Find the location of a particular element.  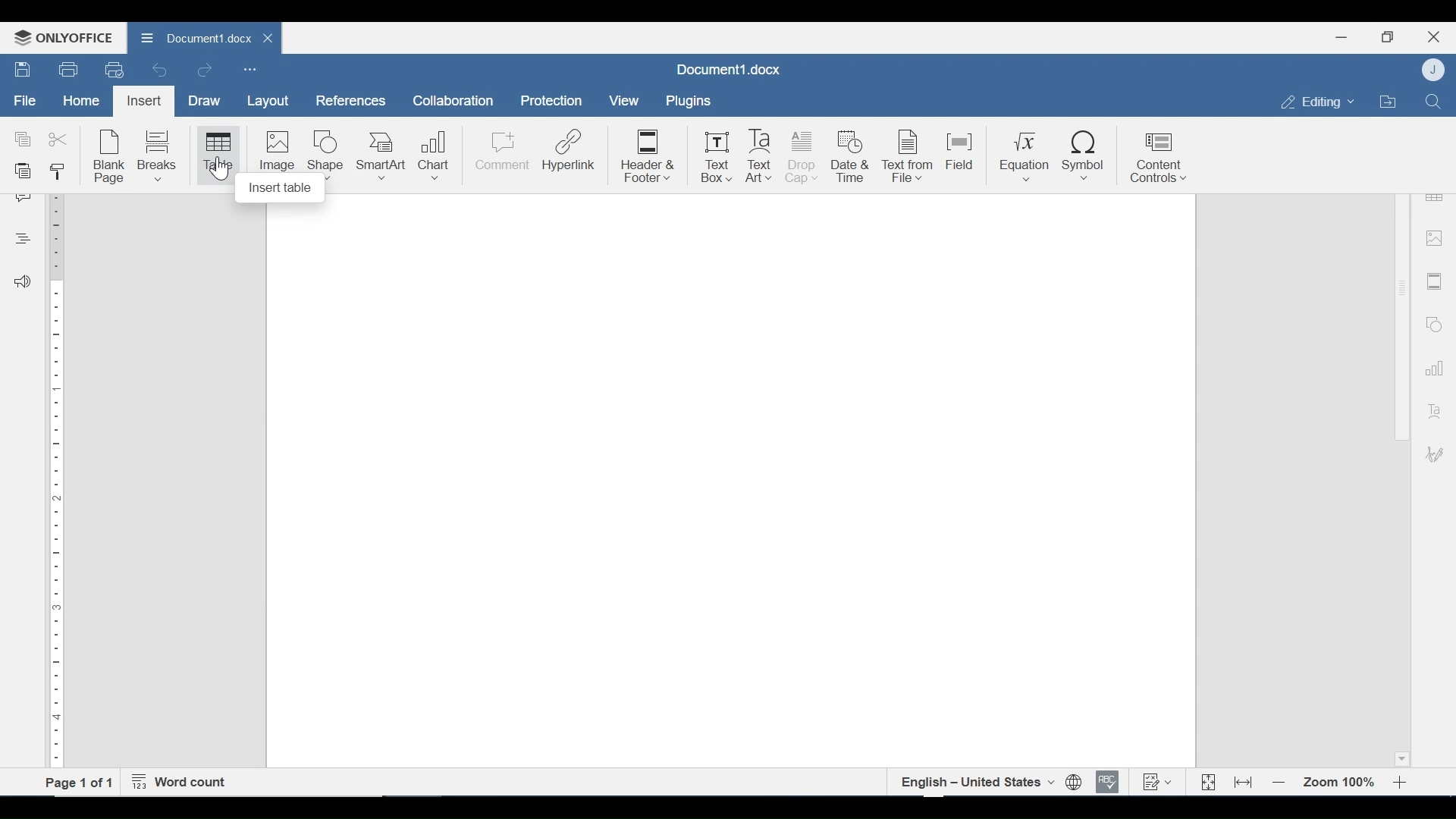

Equation is located at coordinates (1025, 158).